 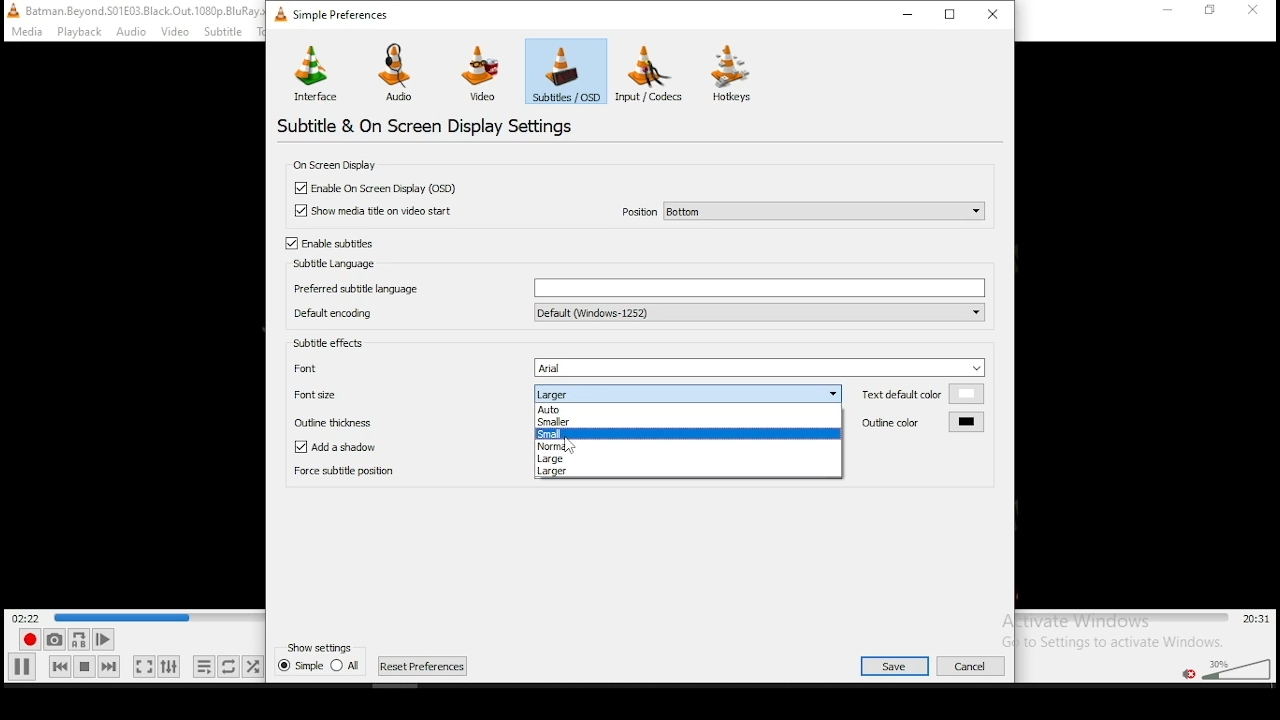 What do you see at coordinates (23, 666) in the screenshot?
I see `play/pause` at bounding box center [23, 666].